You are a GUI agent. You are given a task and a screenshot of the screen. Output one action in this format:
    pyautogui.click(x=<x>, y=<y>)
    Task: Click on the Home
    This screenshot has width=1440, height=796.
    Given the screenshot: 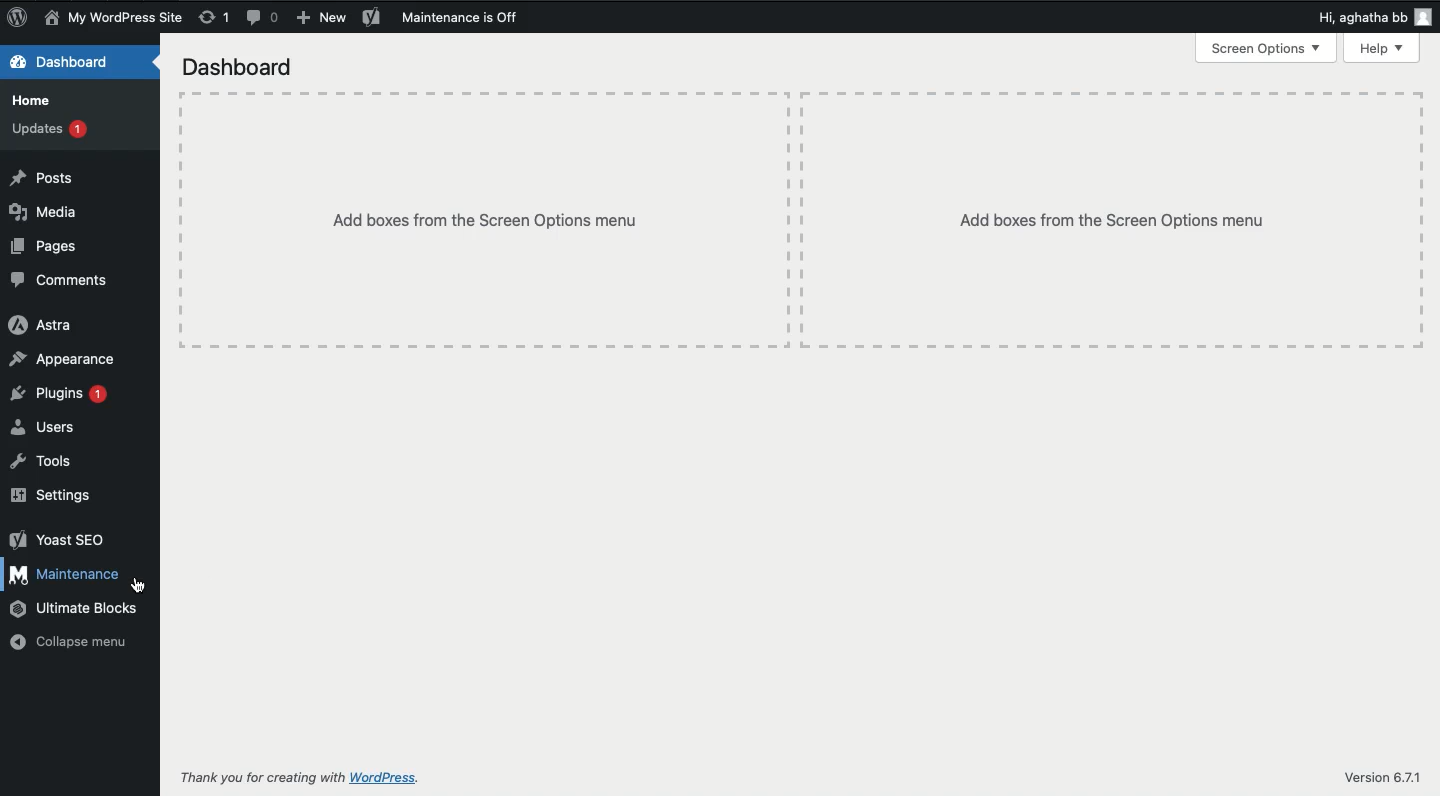 What is the action you would take?
    pyautogui.click(x=31, y=102)
    